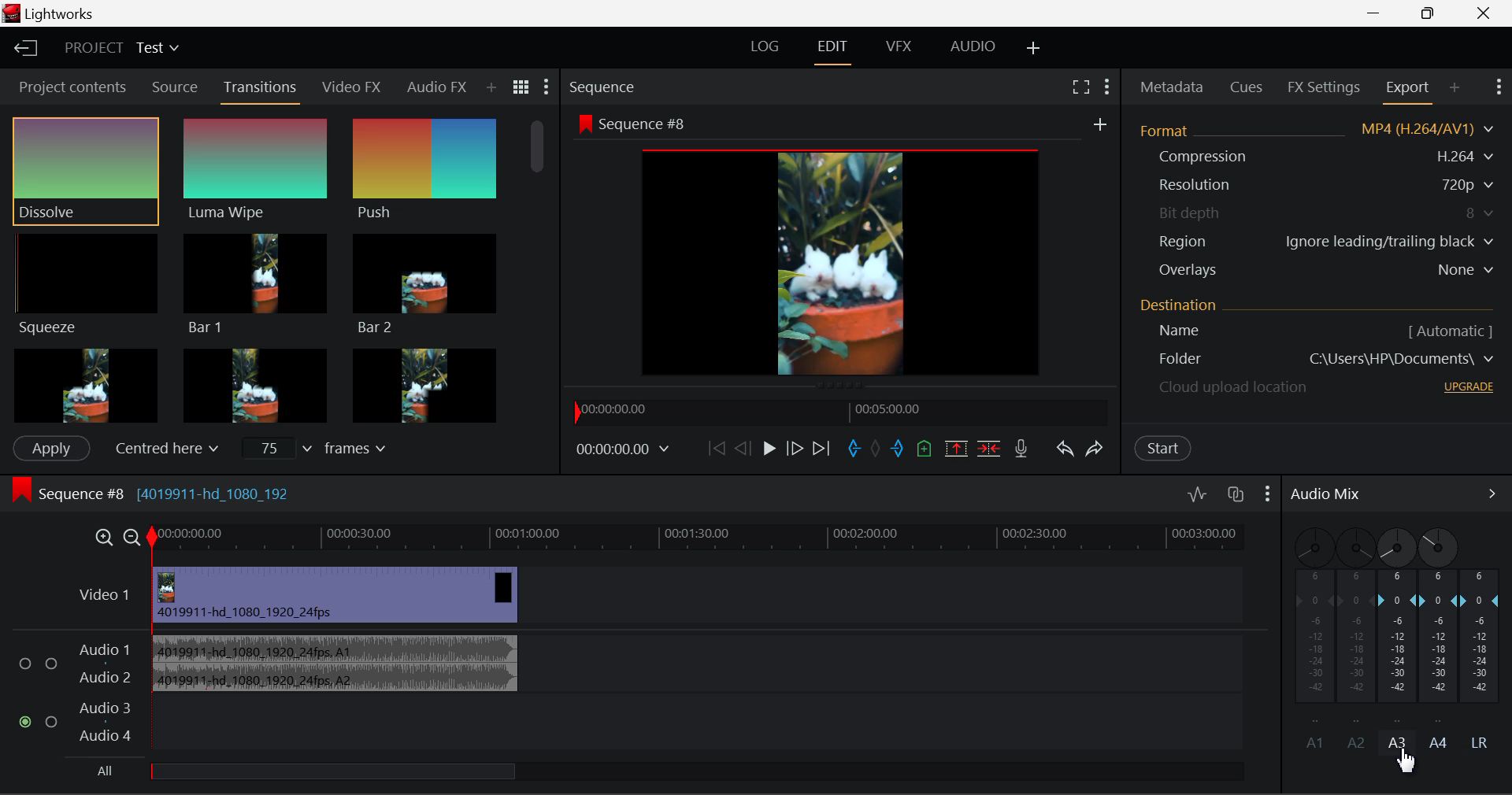 The image size is (1512, 795). I want to click on Full Screen, so click(1080, 87).